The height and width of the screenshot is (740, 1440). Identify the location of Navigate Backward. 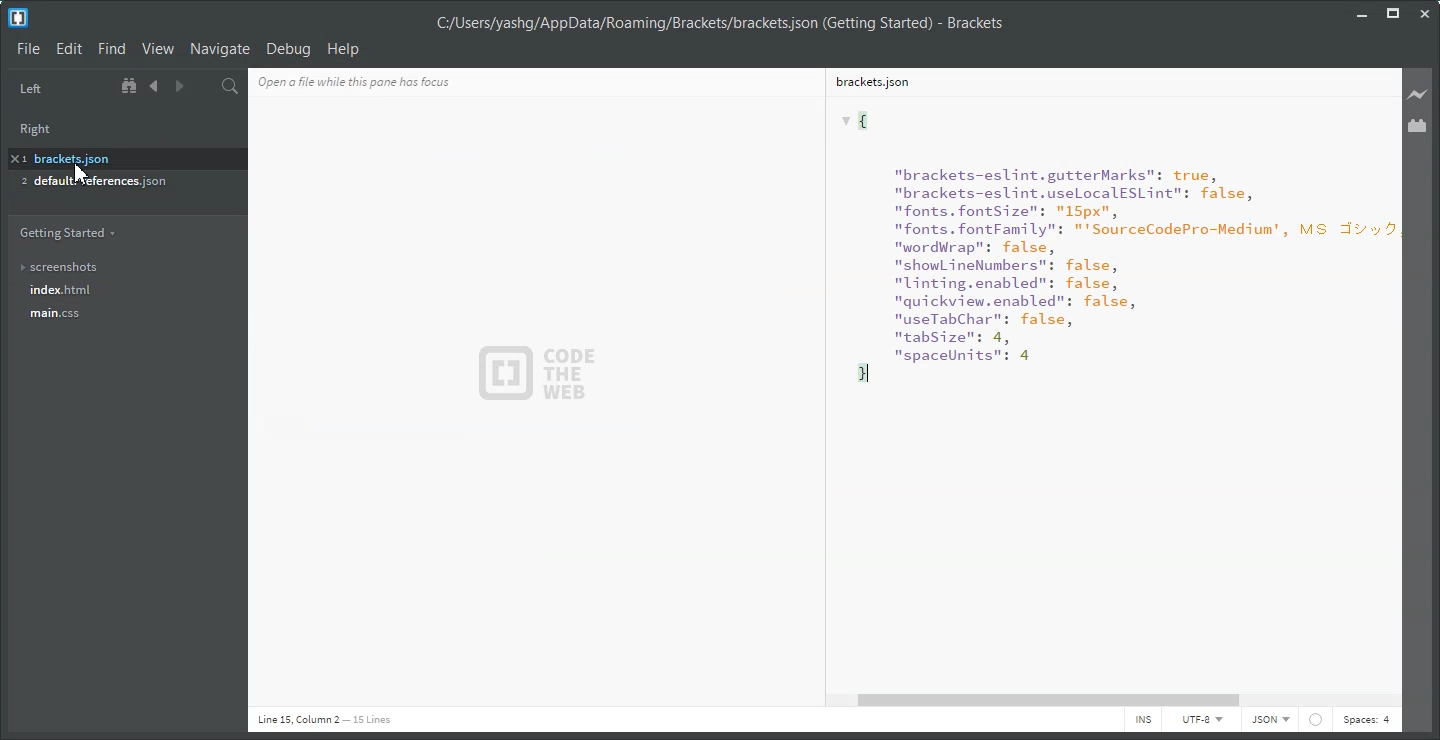
(154, 86).